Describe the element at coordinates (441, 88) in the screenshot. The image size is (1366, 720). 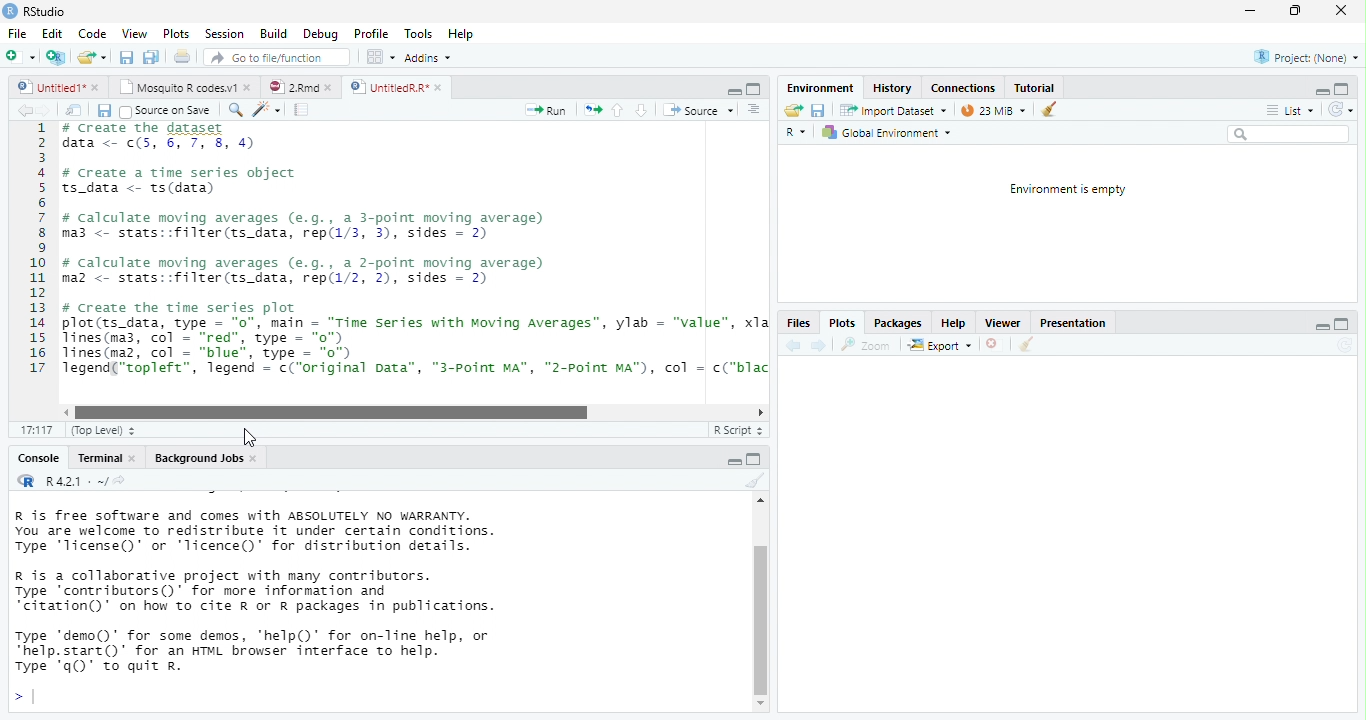
I see `close` at that location.